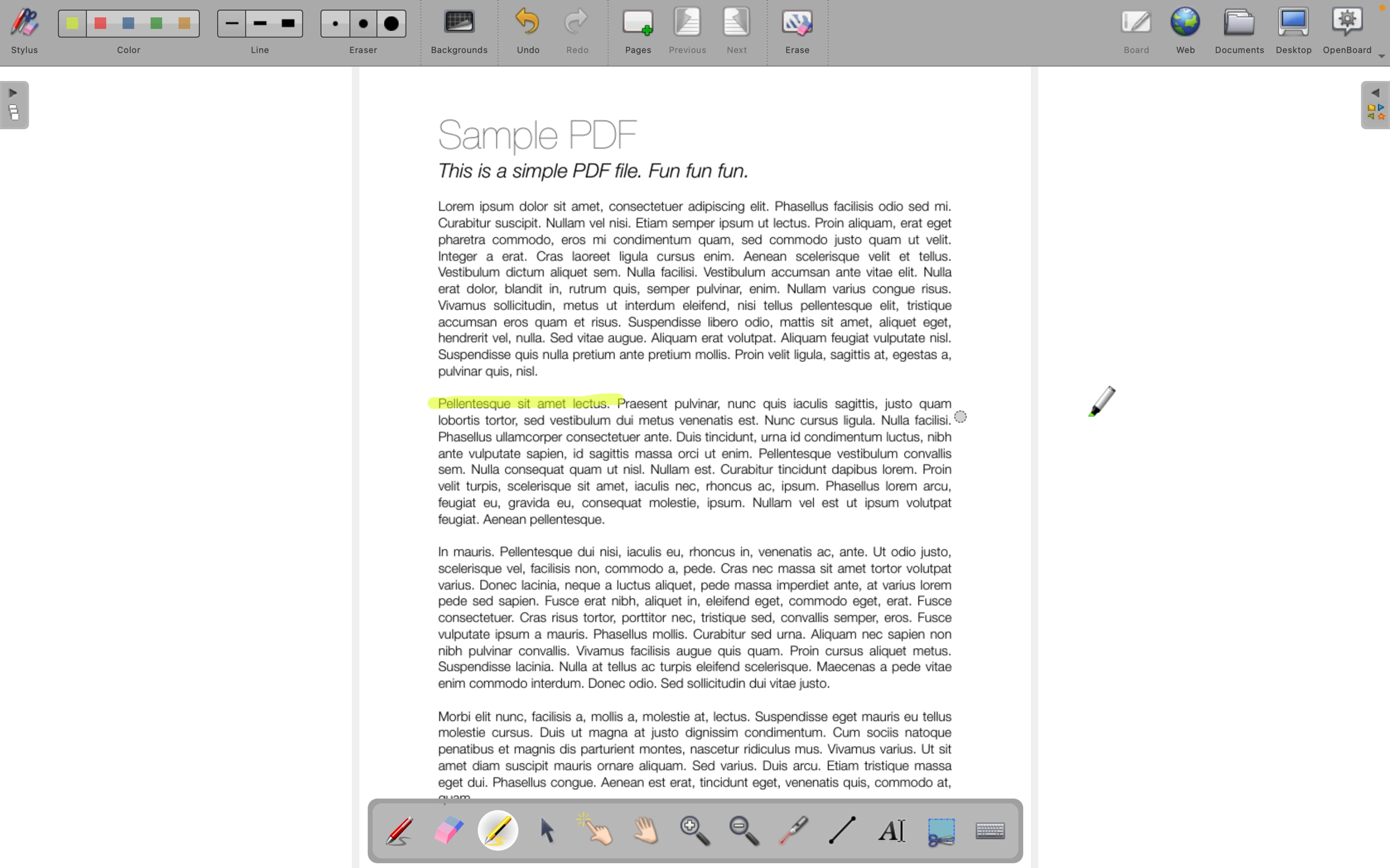  I want to click on cursor, so click(1104, 402).